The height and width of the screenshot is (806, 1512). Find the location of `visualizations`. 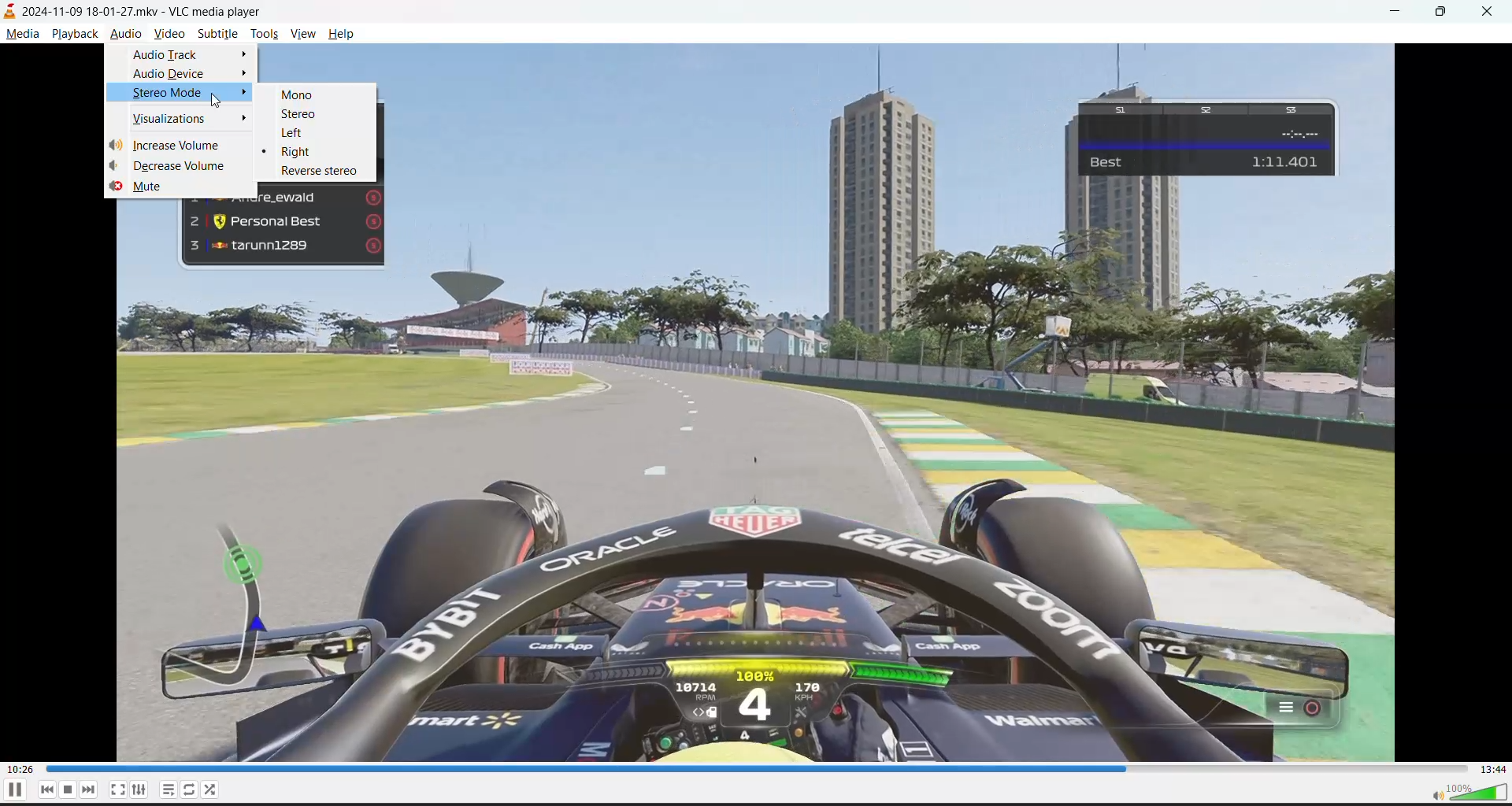

visualizations is located at coordinates (194, 120).